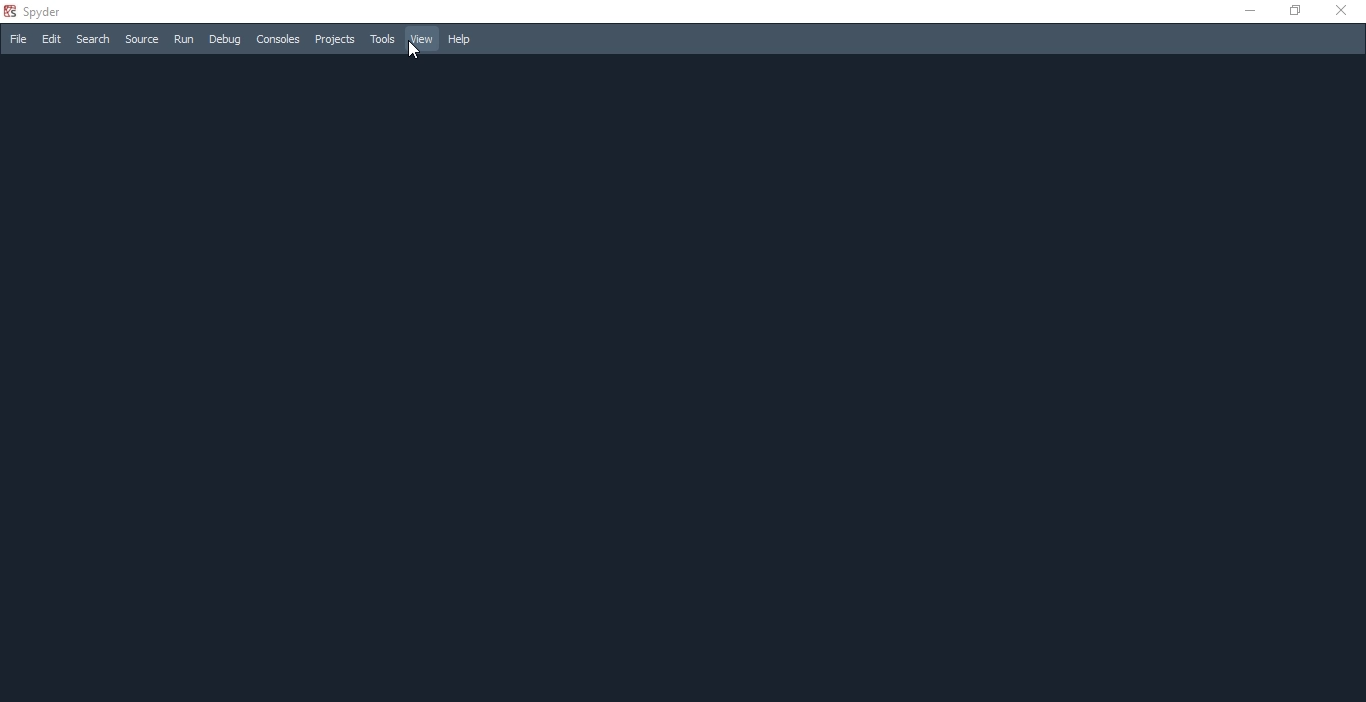  What do you see at coordinates (381, 39) in the screenshot?
I see `Tools` at bounding box center [381, 39].